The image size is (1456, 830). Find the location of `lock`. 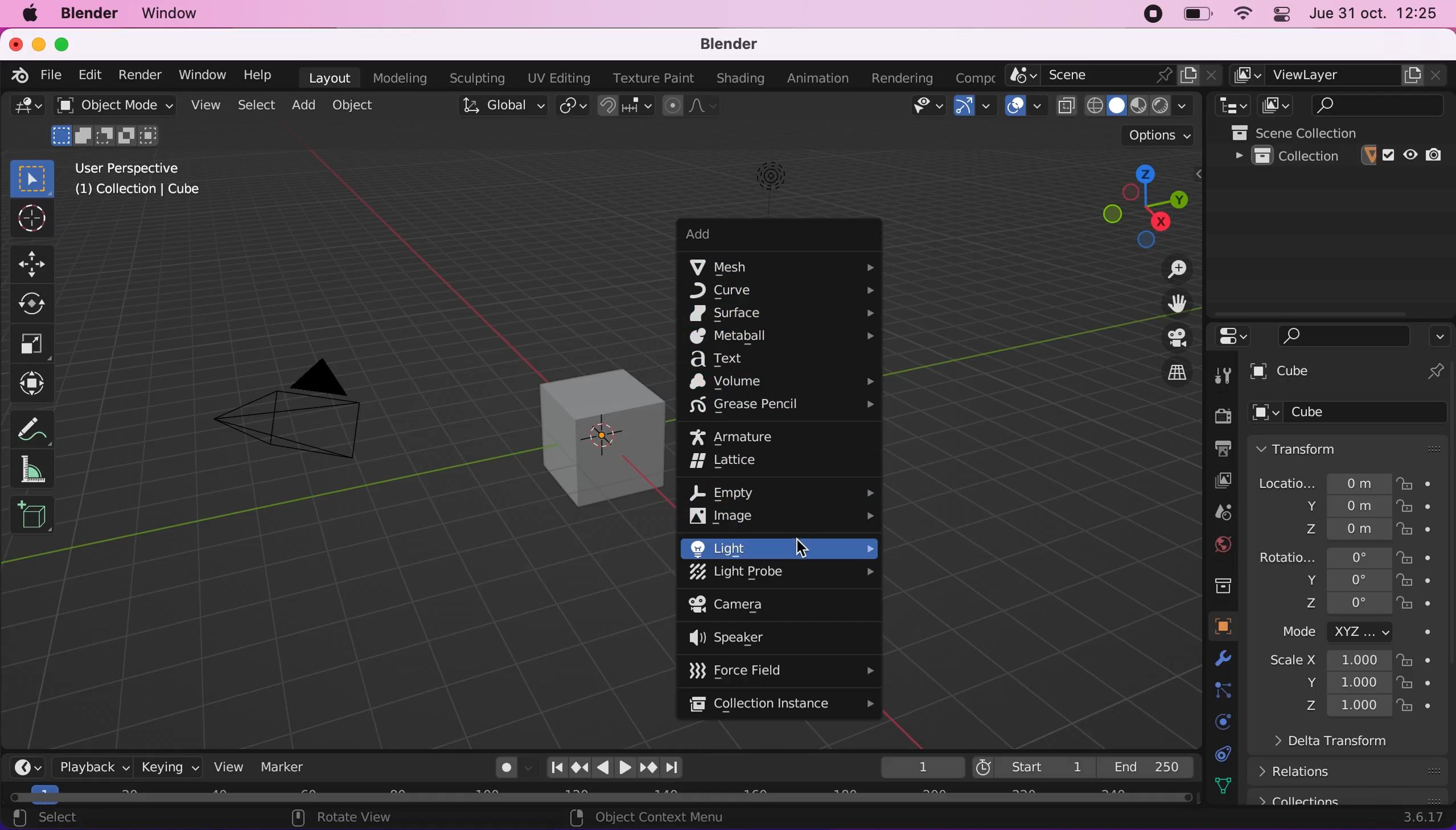

lock is located at coordinates (1425, 558).